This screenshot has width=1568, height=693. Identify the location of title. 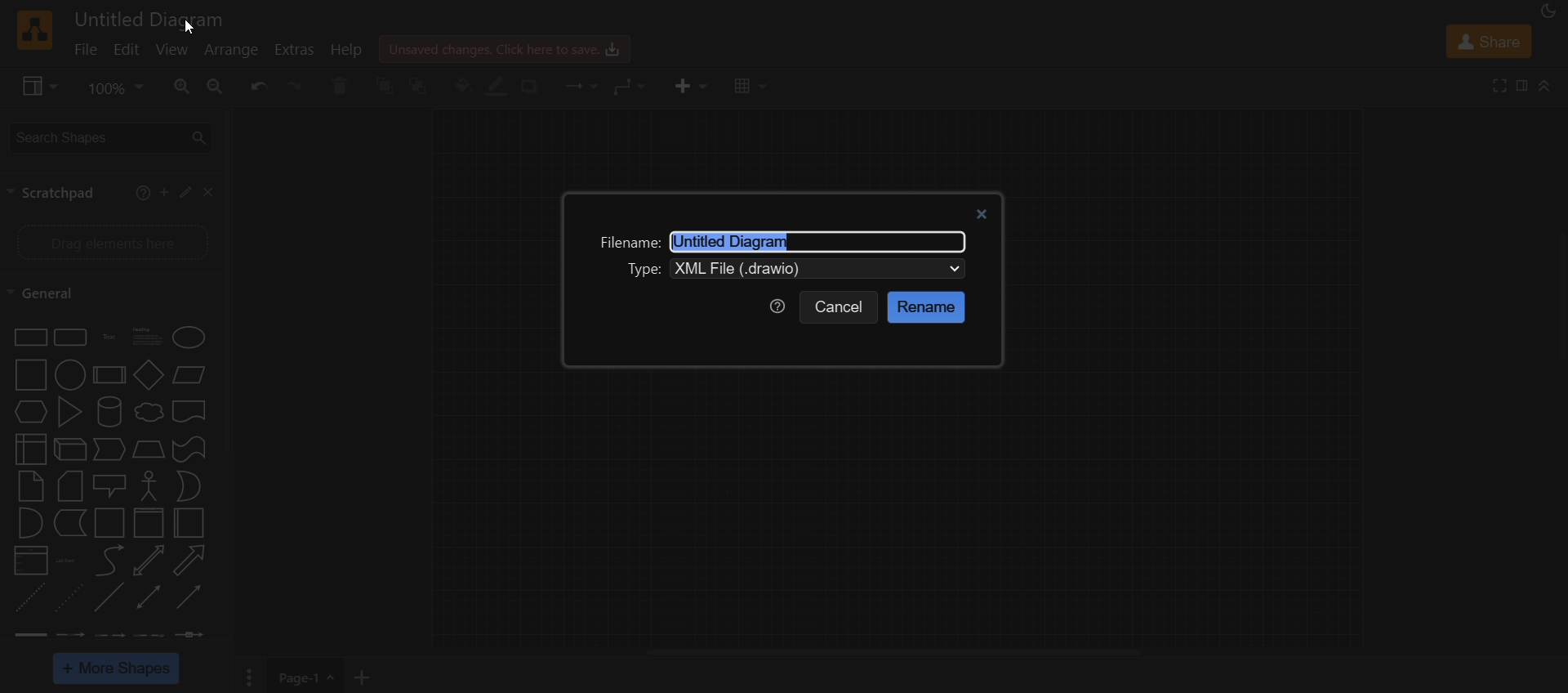
(154, 17).